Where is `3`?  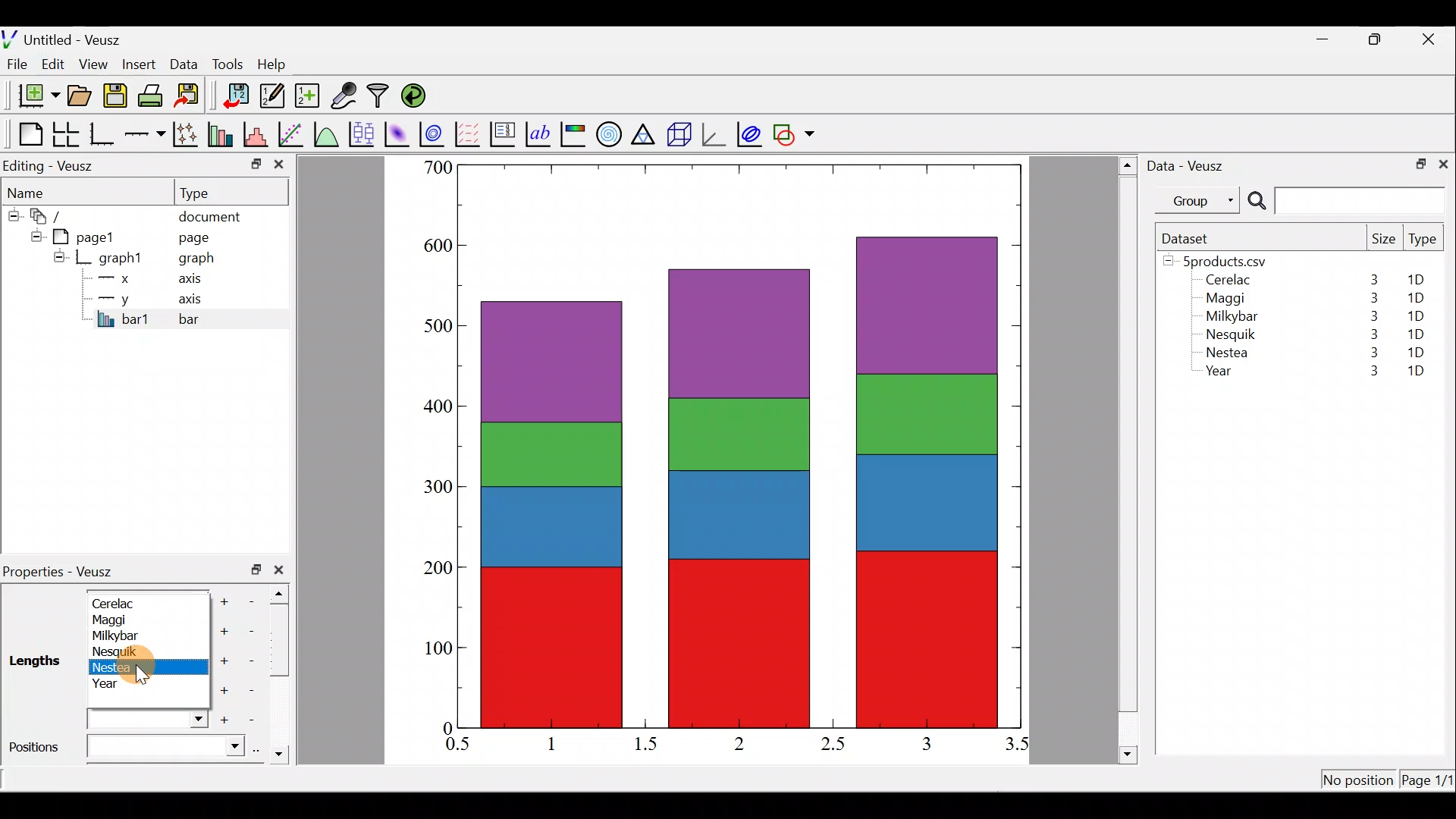
3 is located at coordinates (1370, 355).